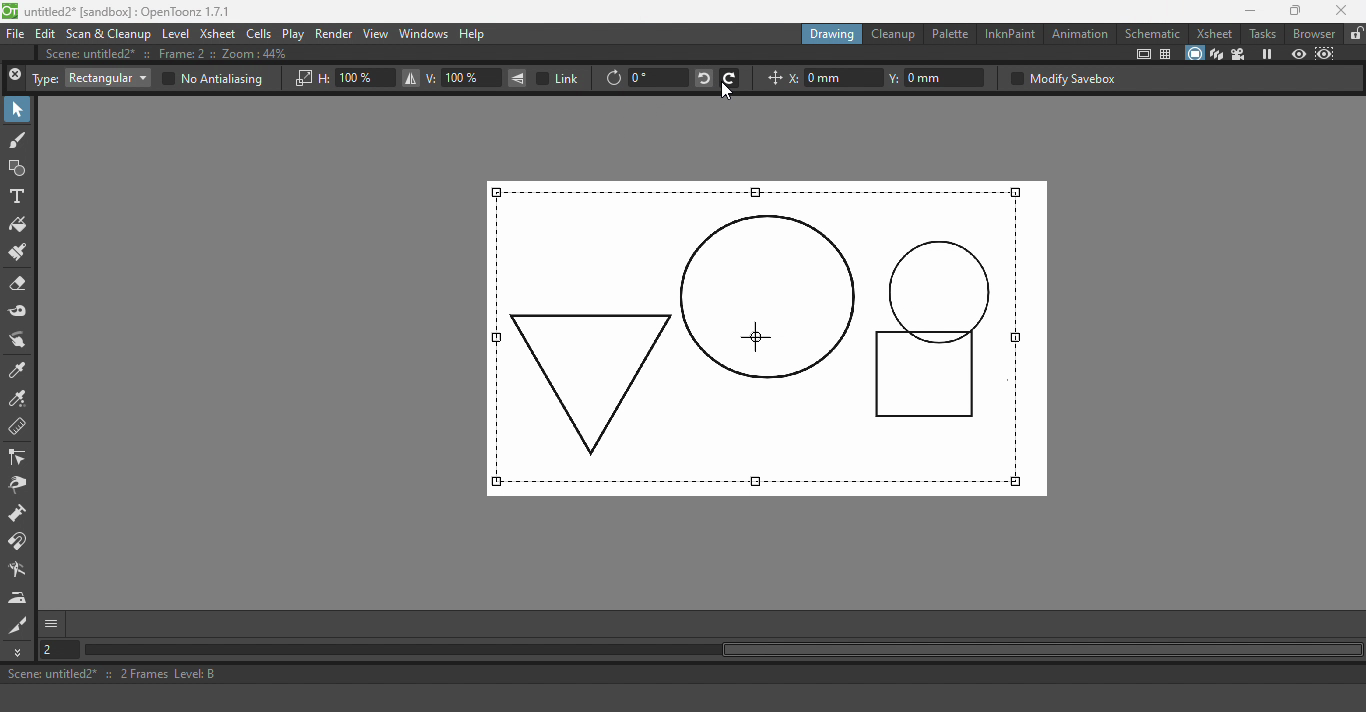 This screenshot has height=712, width=1366. I want to click on Scan & Cleanup, so click(109, 35).